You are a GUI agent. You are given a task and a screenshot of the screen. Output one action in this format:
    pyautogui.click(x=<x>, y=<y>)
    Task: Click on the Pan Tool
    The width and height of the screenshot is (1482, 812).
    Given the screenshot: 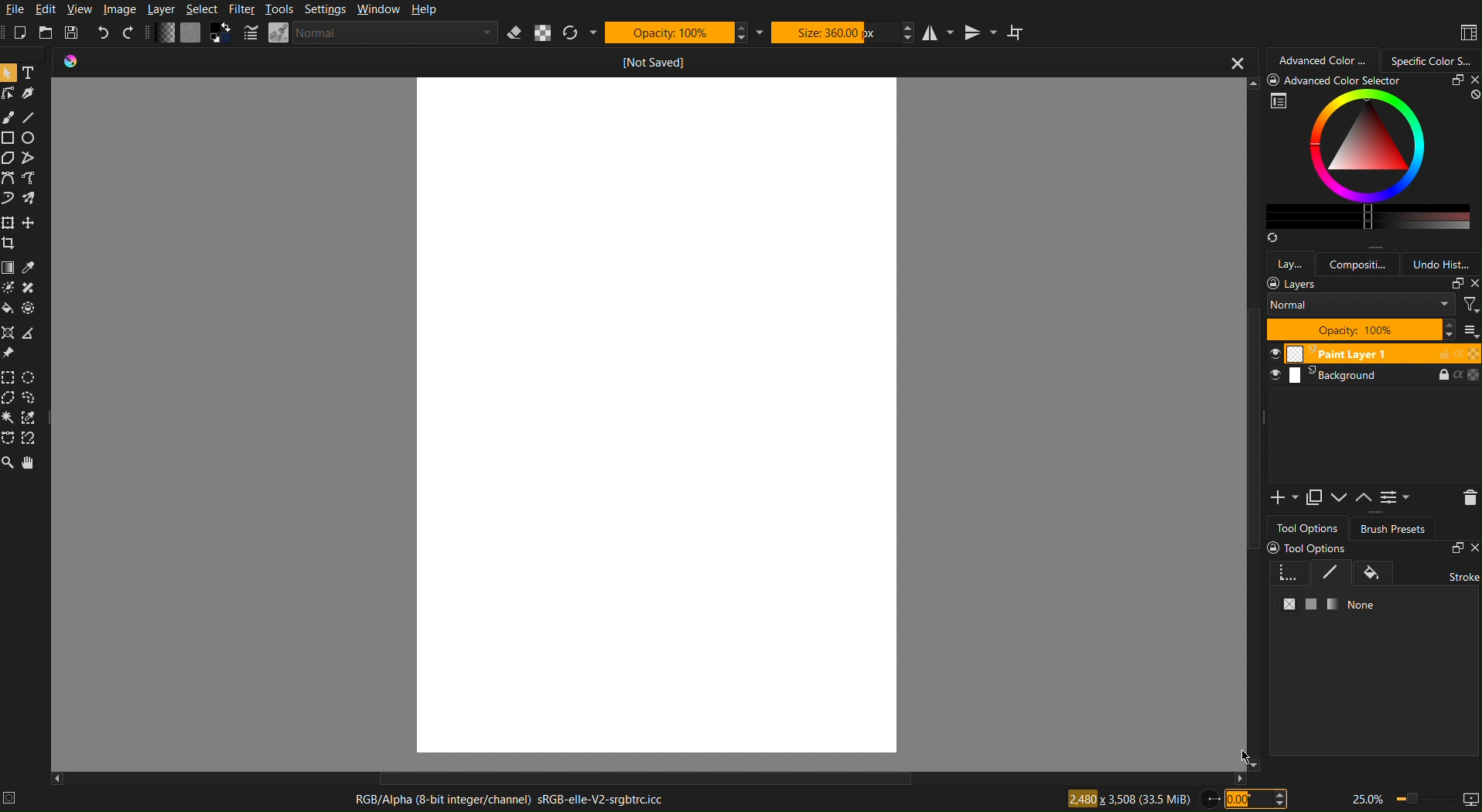 What is the action you would take?
    pyautogui.click(x=29, y=463)
    